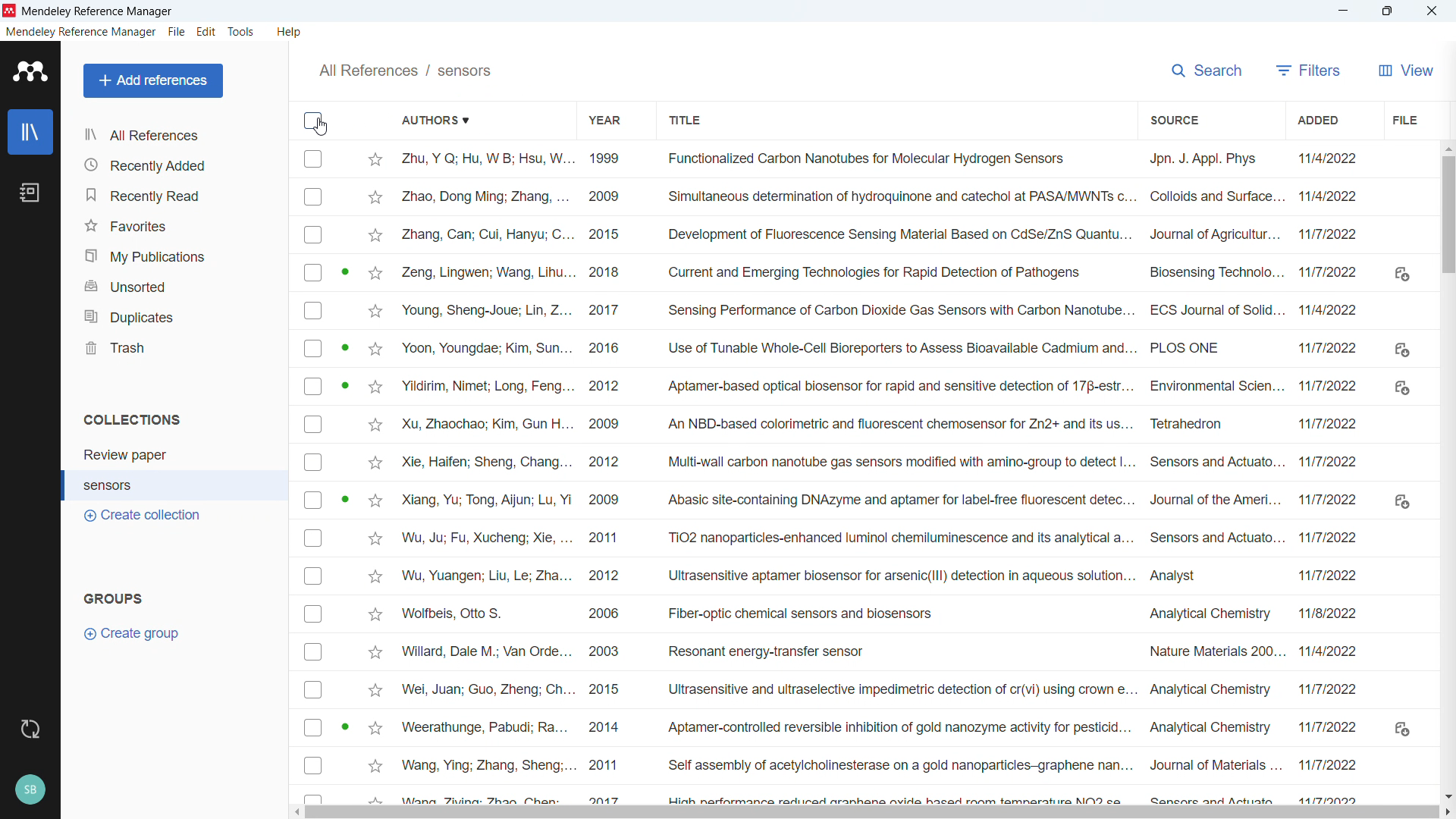 The width and height of the screenshot is (1456, 819). I want to click on notebook, so click(31, 193).